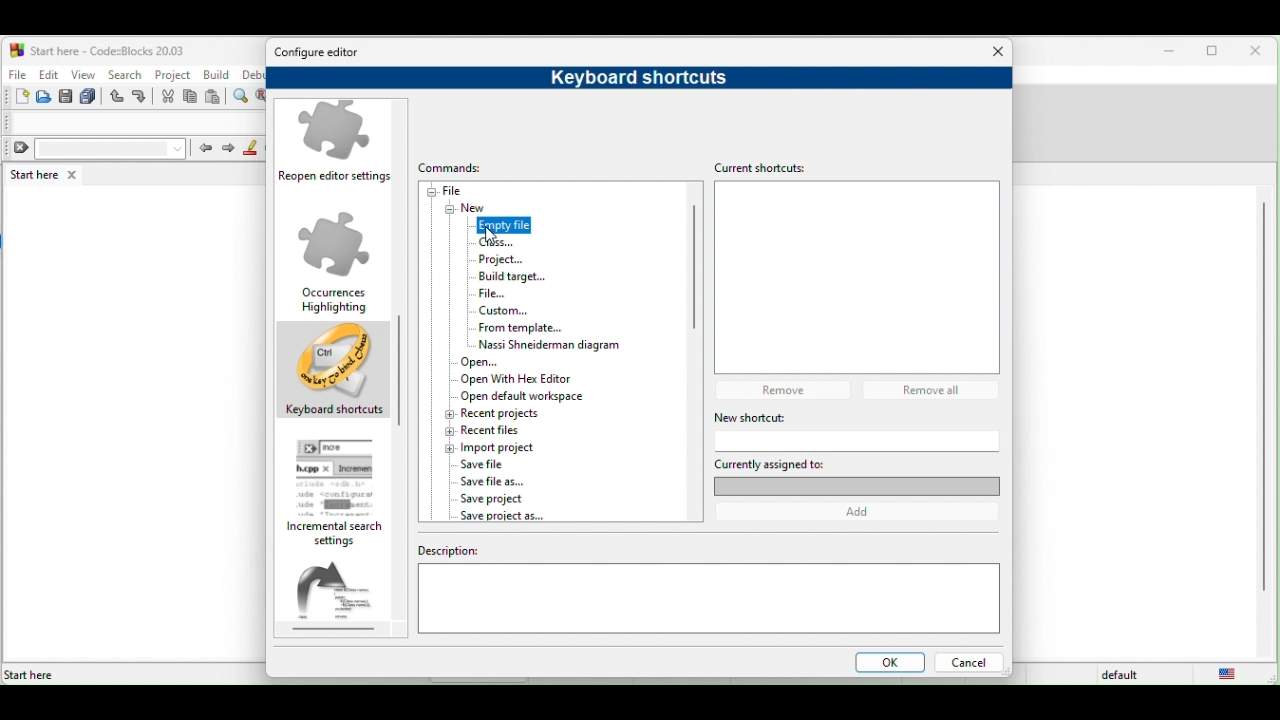  What do you see at coordinates (788, 389) in the screenshot?
I see `remove` at bounding box center [788, 389].